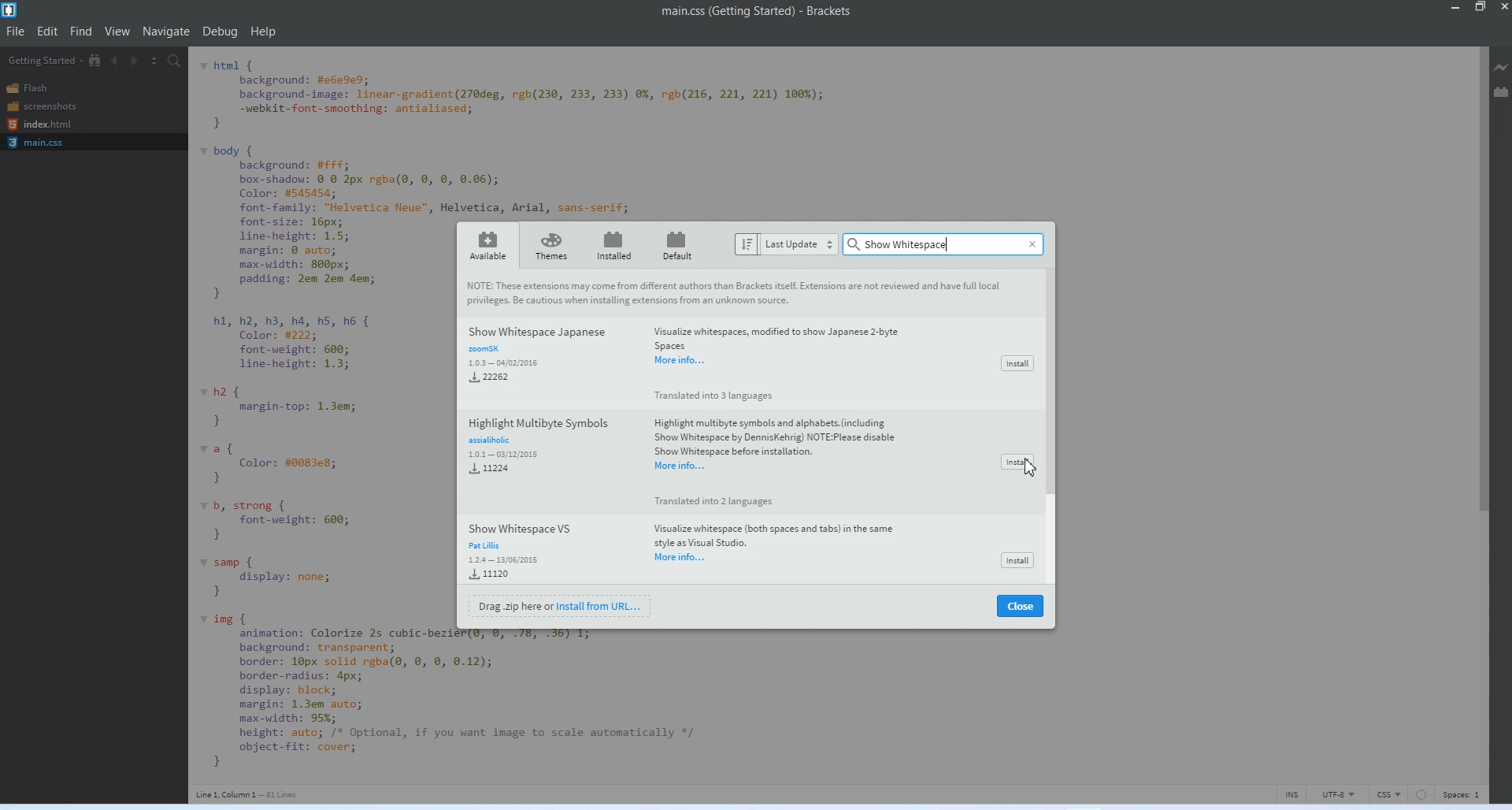 The width and height of the screenshot is (1512, 810). Describe the element at coordinates (37, 143) in the screenshot. I see `Main.css` at that location.